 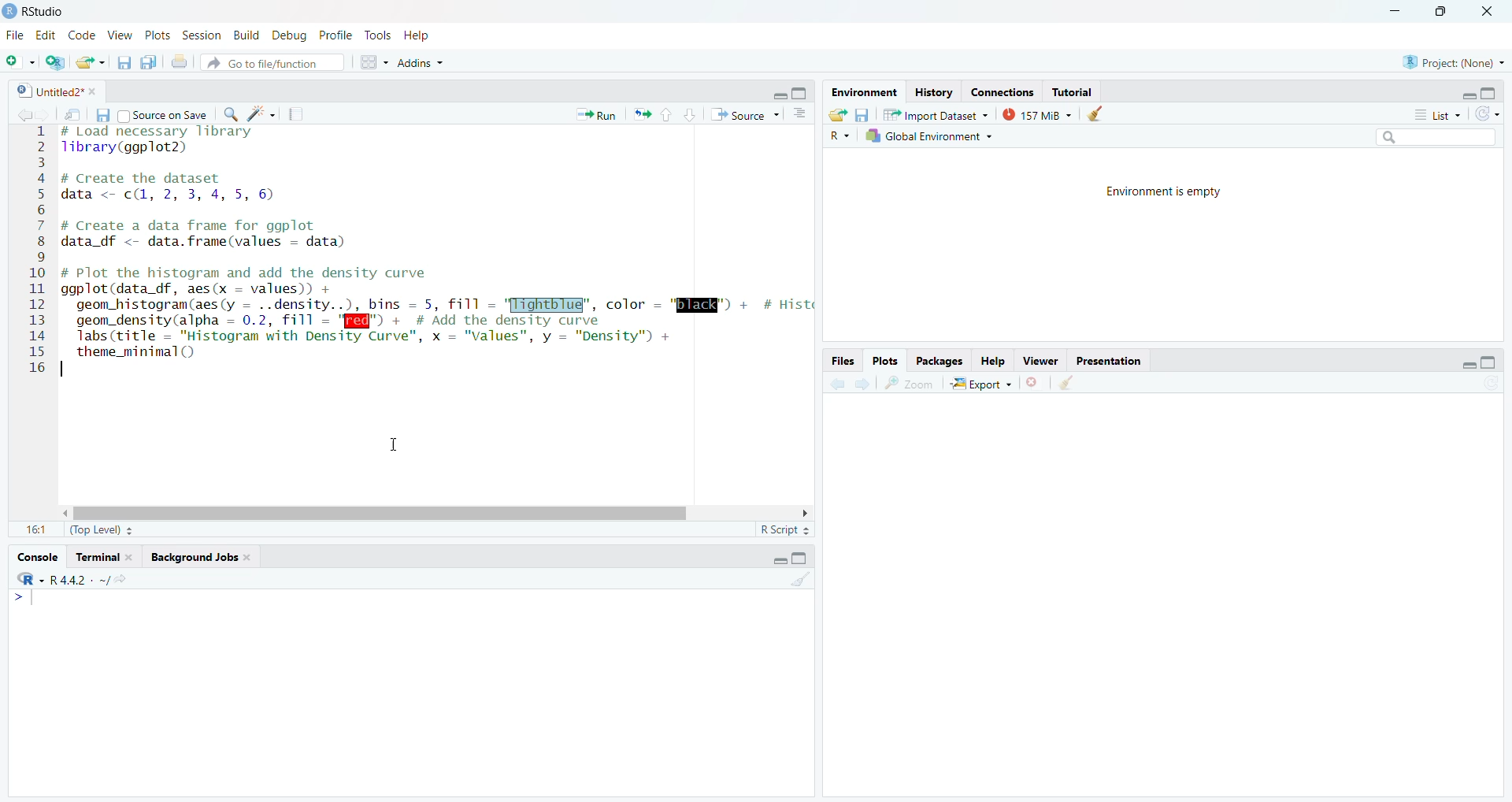 I want to click on Packages, so click(x=942, y=361).